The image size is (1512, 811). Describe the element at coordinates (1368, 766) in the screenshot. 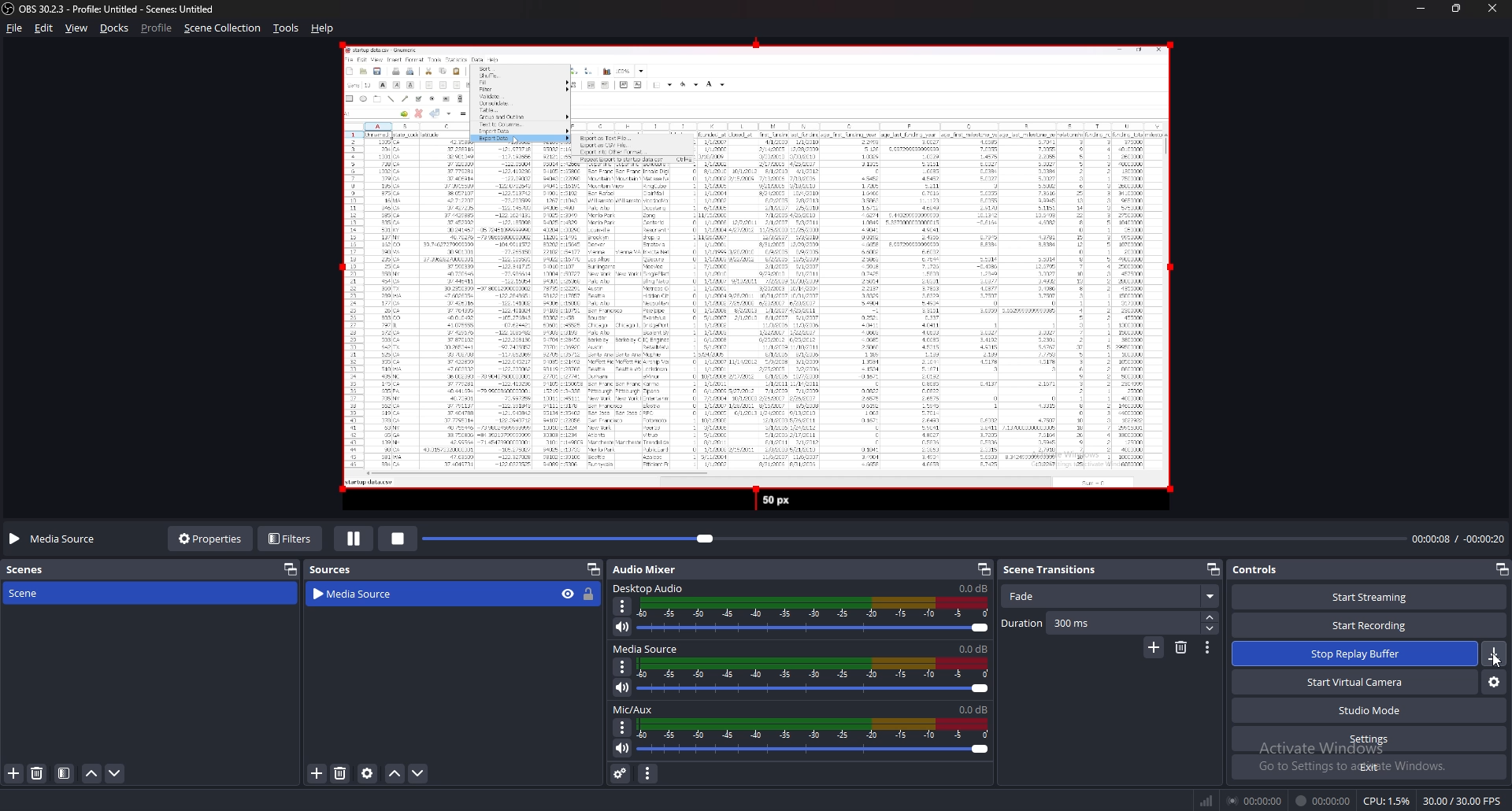

I see `exit` at that location.